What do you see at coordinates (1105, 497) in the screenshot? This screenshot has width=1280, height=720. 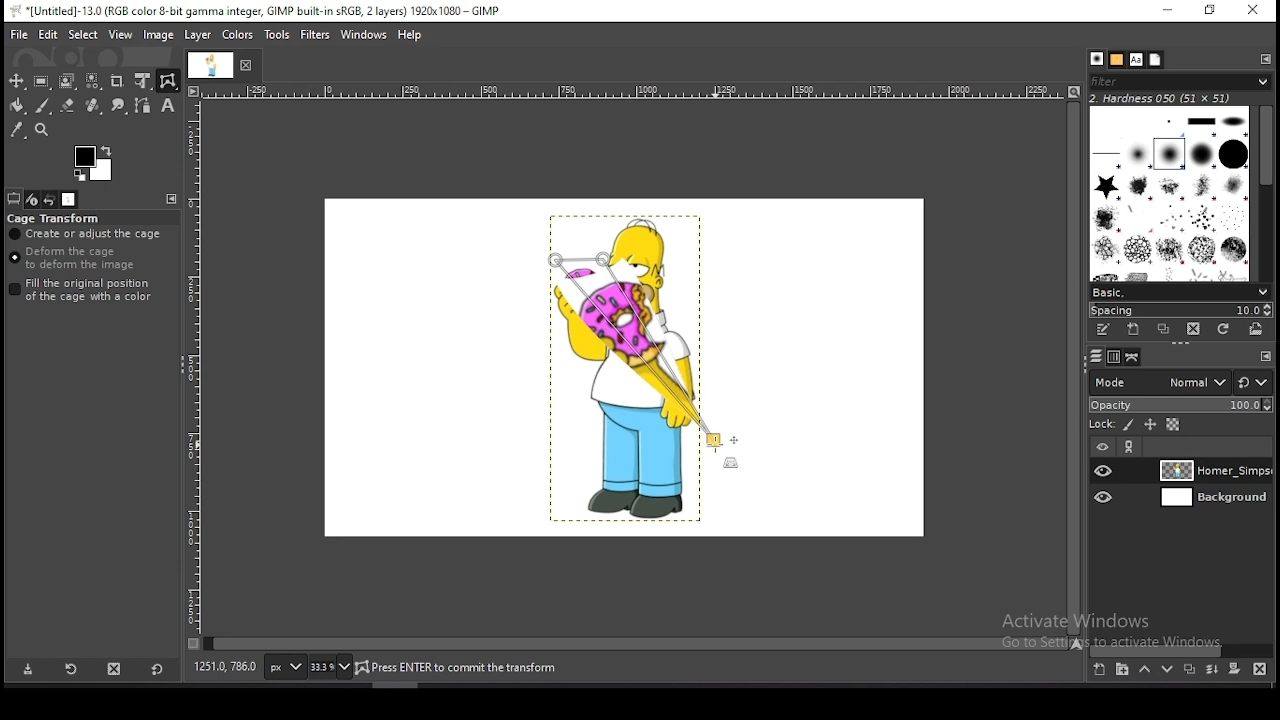 I see `layer visibility on/off` at bounding box center [1105, 497].